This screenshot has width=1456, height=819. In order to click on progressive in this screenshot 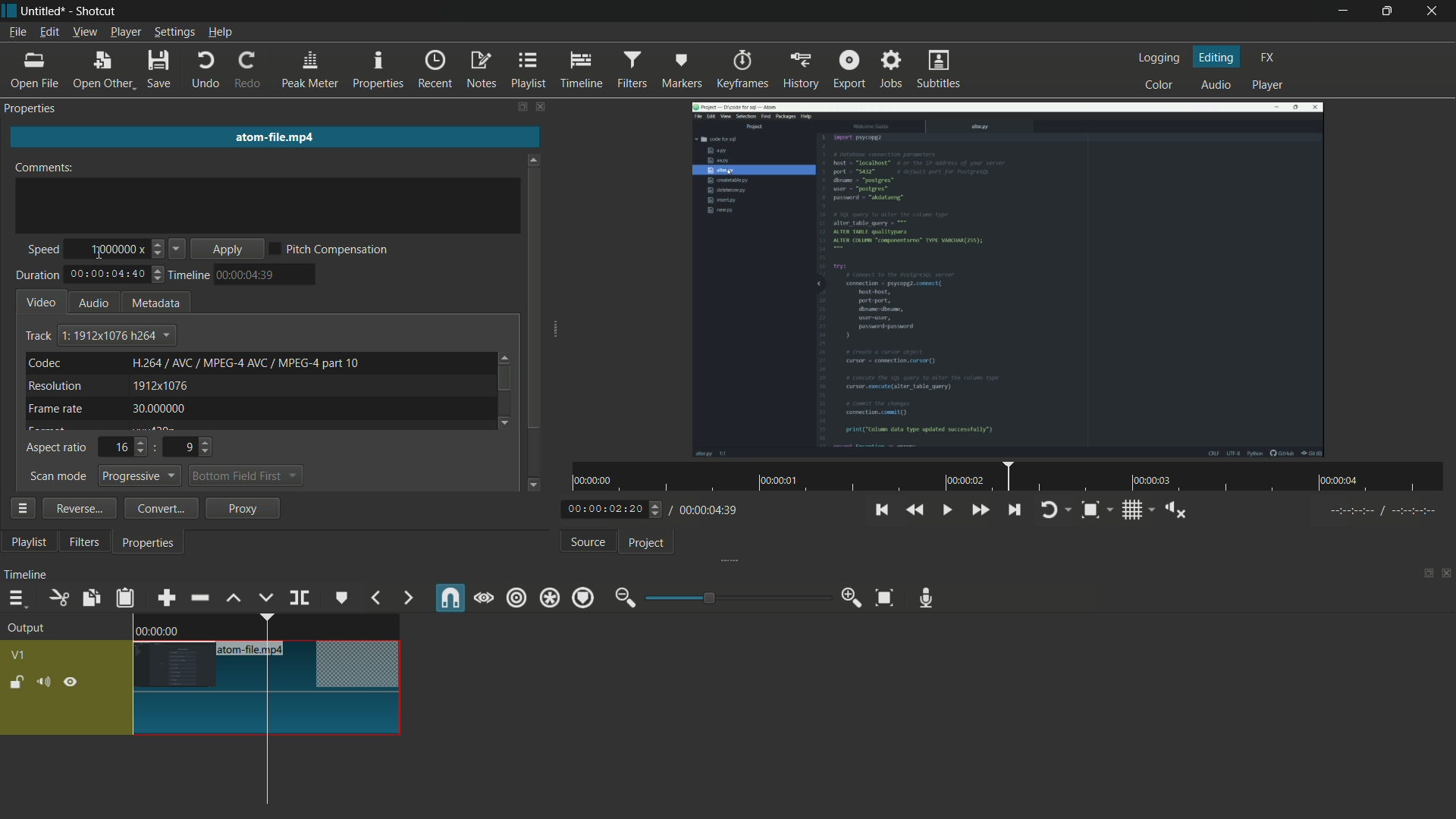, I will do `click(141, 475)`.